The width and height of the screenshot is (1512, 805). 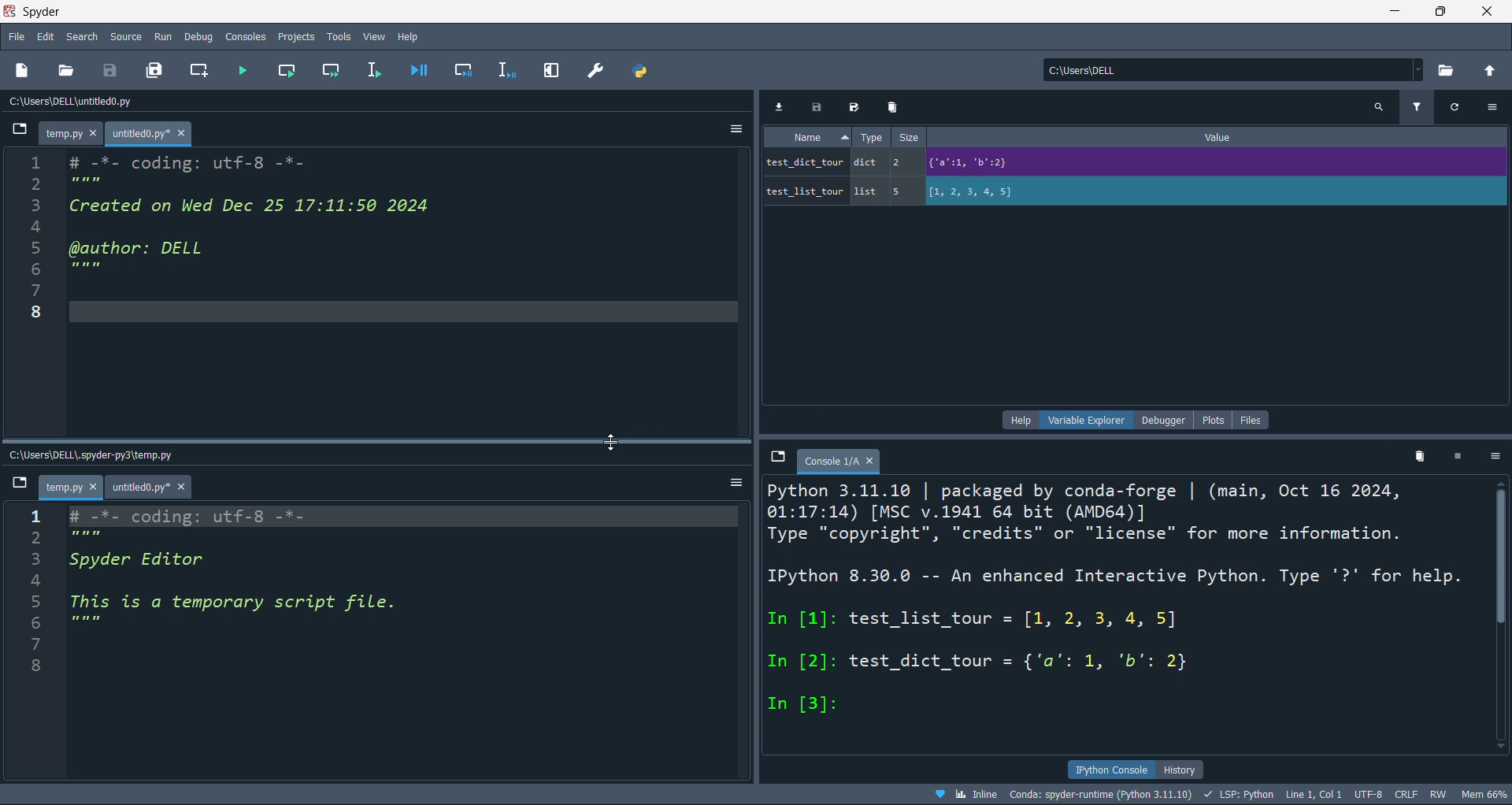 What do you see at coordinates (94, 103) in the screenshot?
I see `C:\User|DELL\utitled0.py` at bounding box center [94, 103].